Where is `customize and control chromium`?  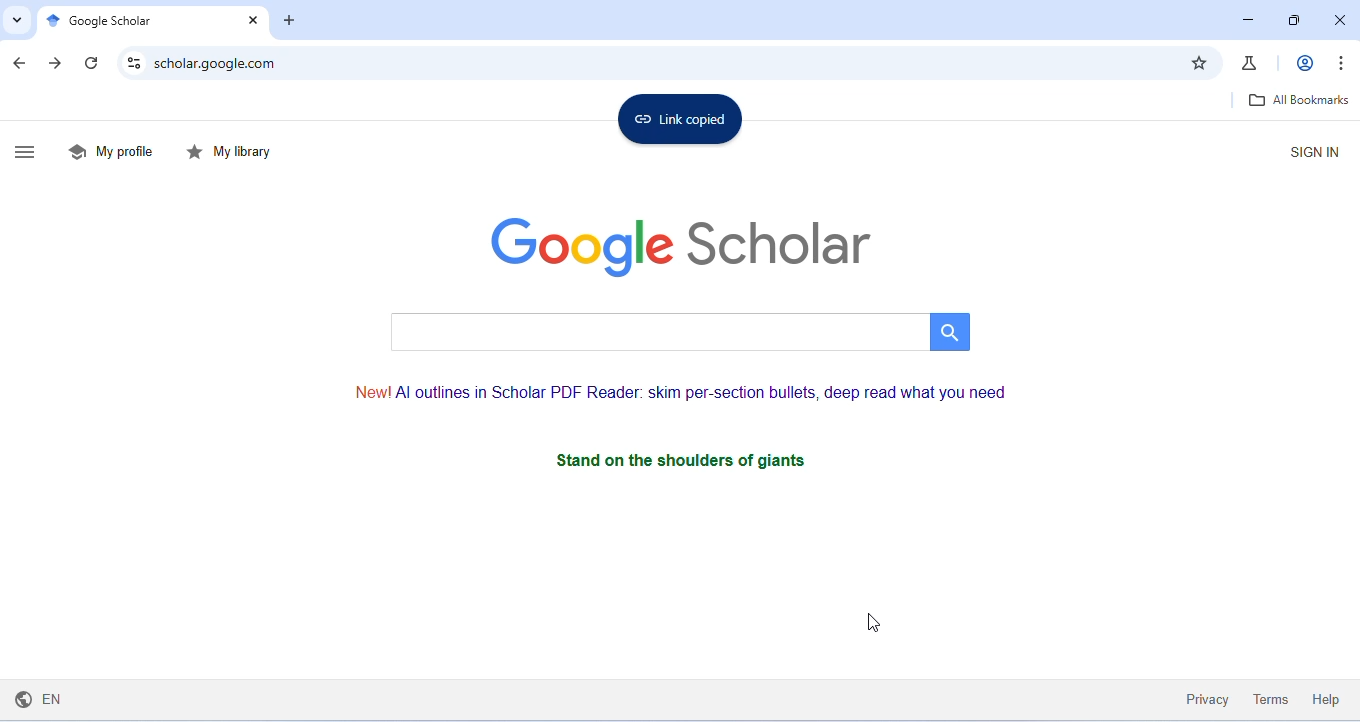
customize and control chromium is located at coordinates (1341, 64).